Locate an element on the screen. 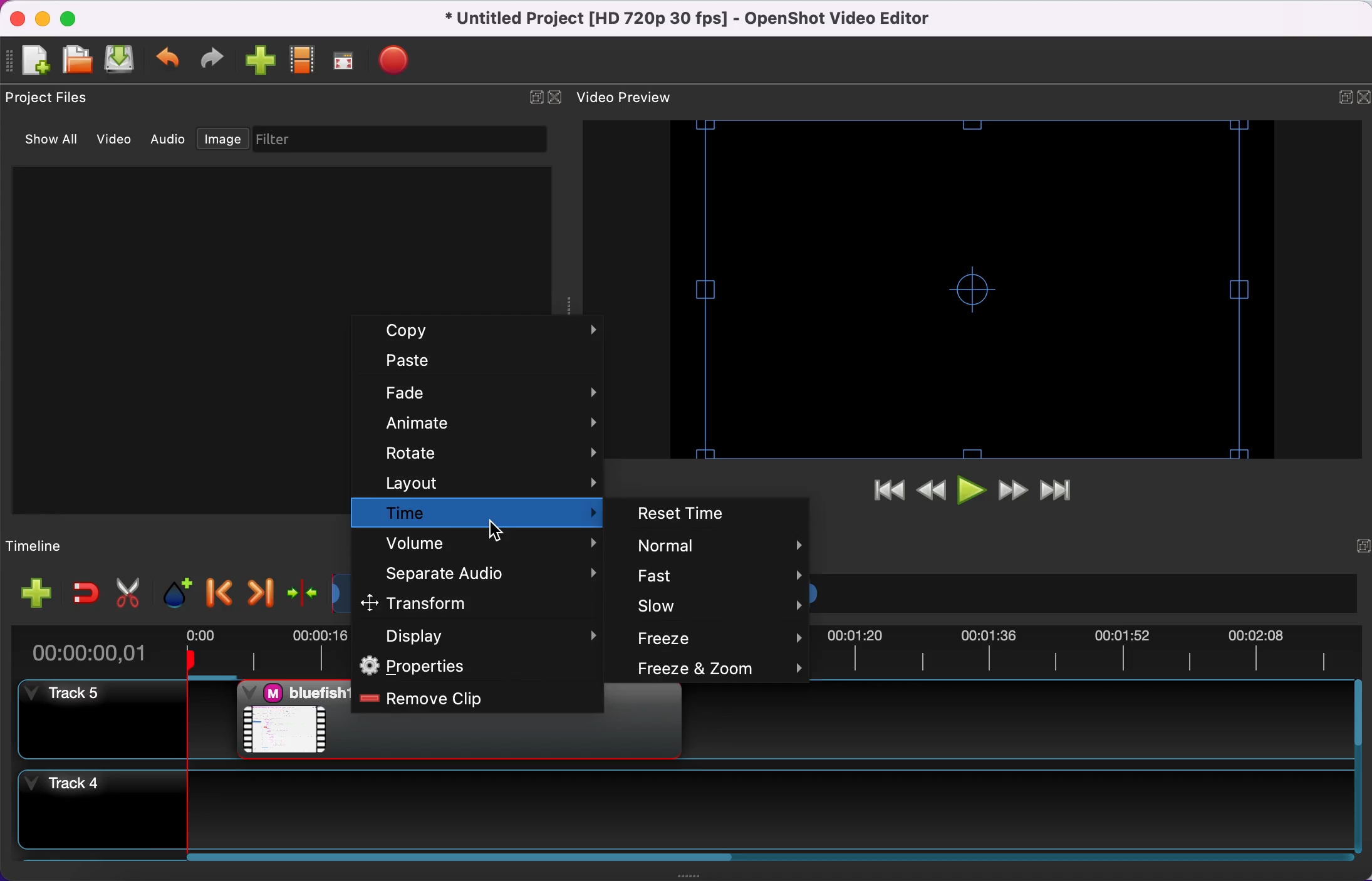  rewind is located at coordinates (928, 495).